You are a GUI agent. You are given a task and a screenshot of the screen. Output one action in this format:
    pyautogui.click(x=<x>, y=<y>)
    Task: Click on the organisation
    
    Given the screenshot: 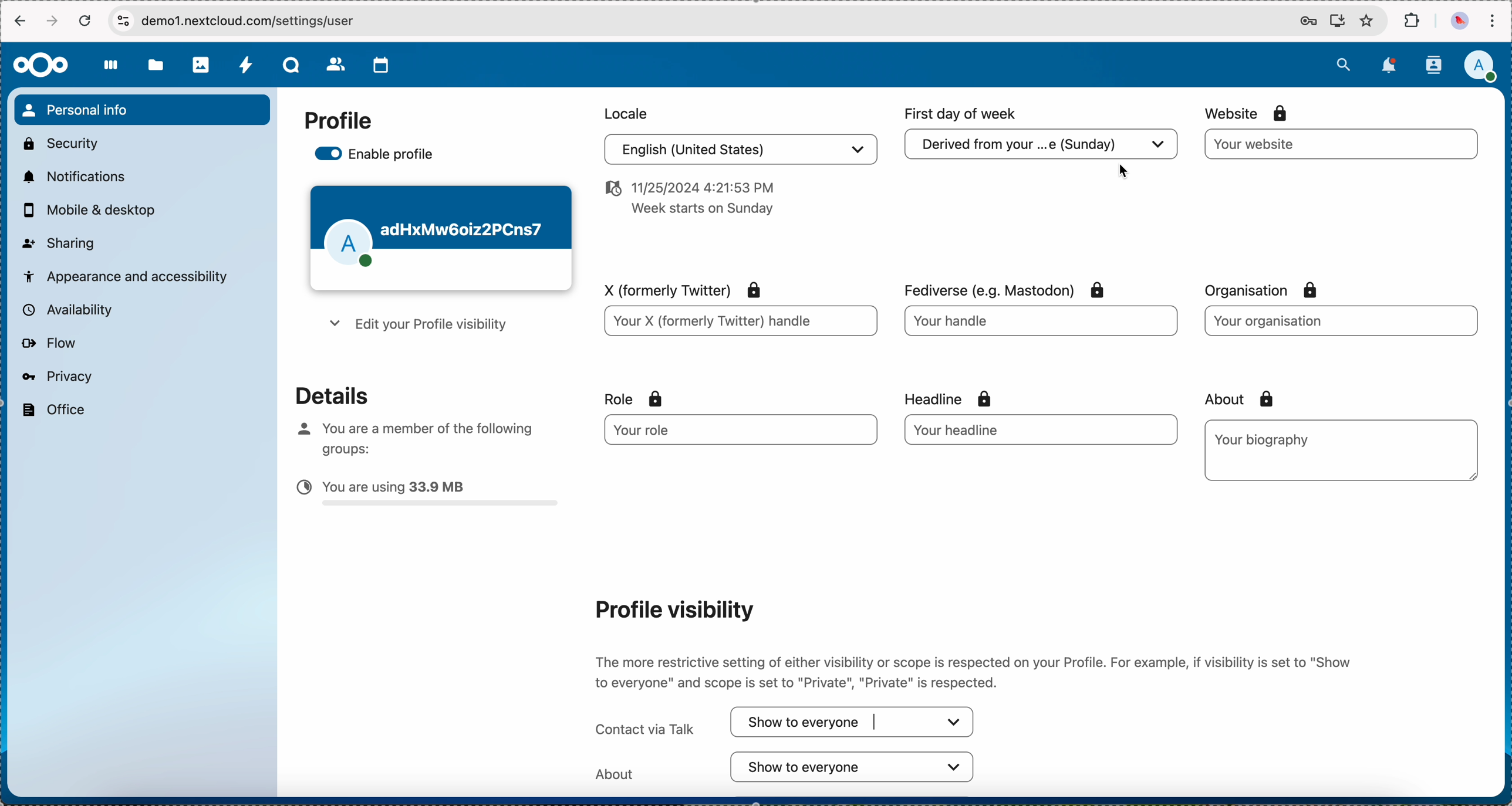 What is the action you would take?
    pyautogui.click(x=1339, y=320)
    